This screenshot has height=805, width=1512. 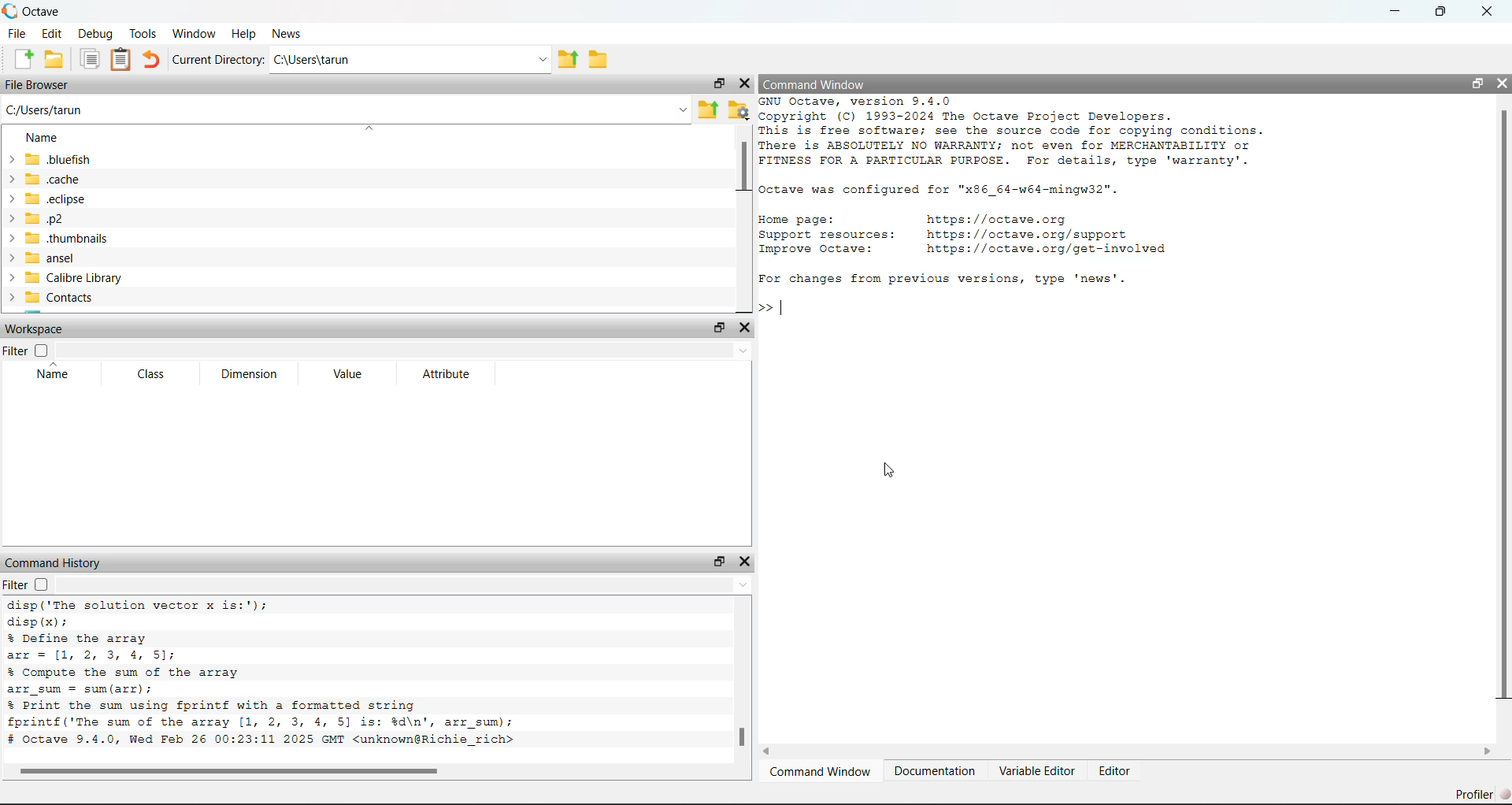 I want to click on Close, so click(x=744, y=84).